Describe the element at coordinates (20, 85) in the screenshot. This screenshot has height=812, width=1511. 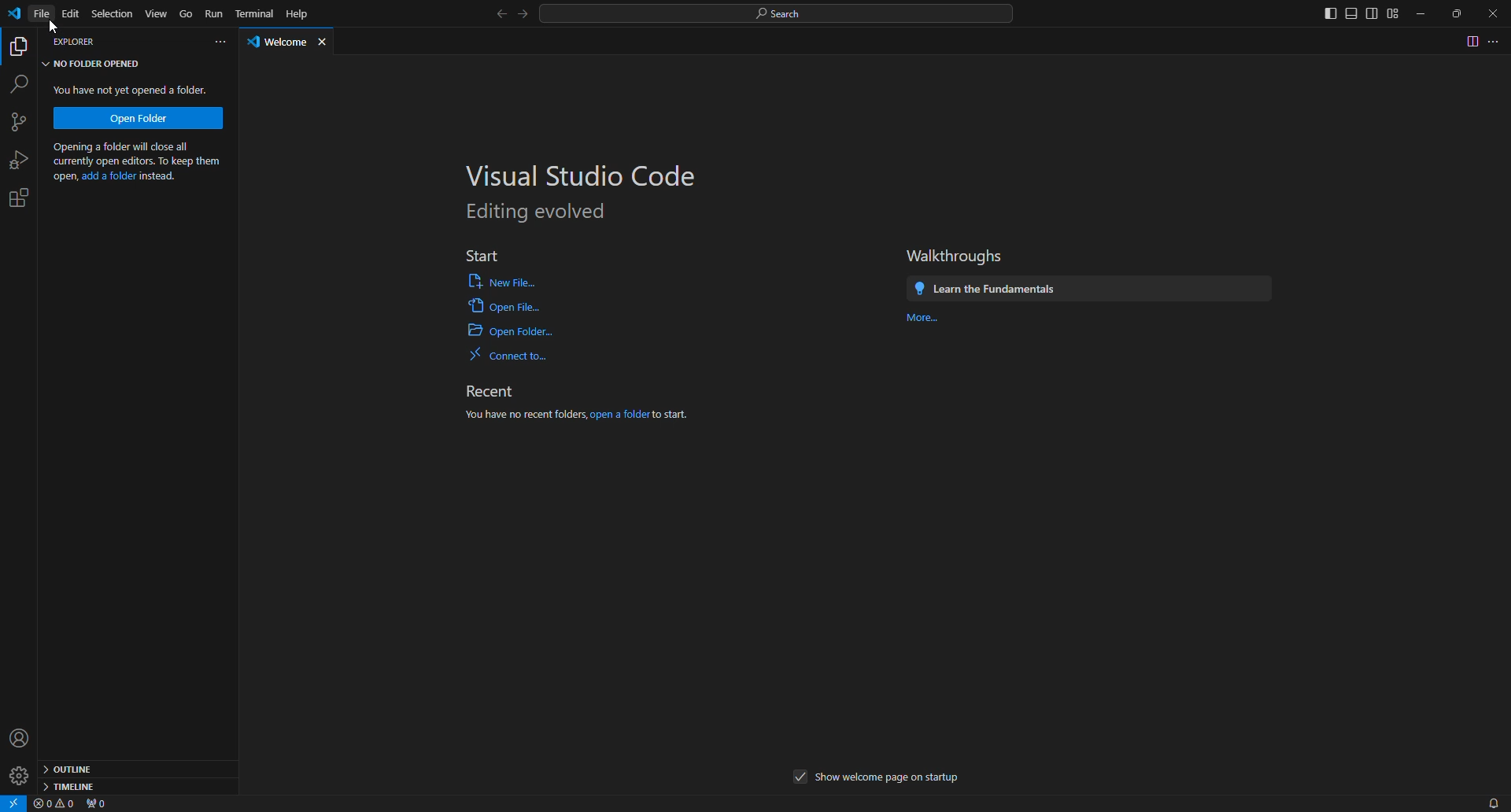
I see `search` at that location.